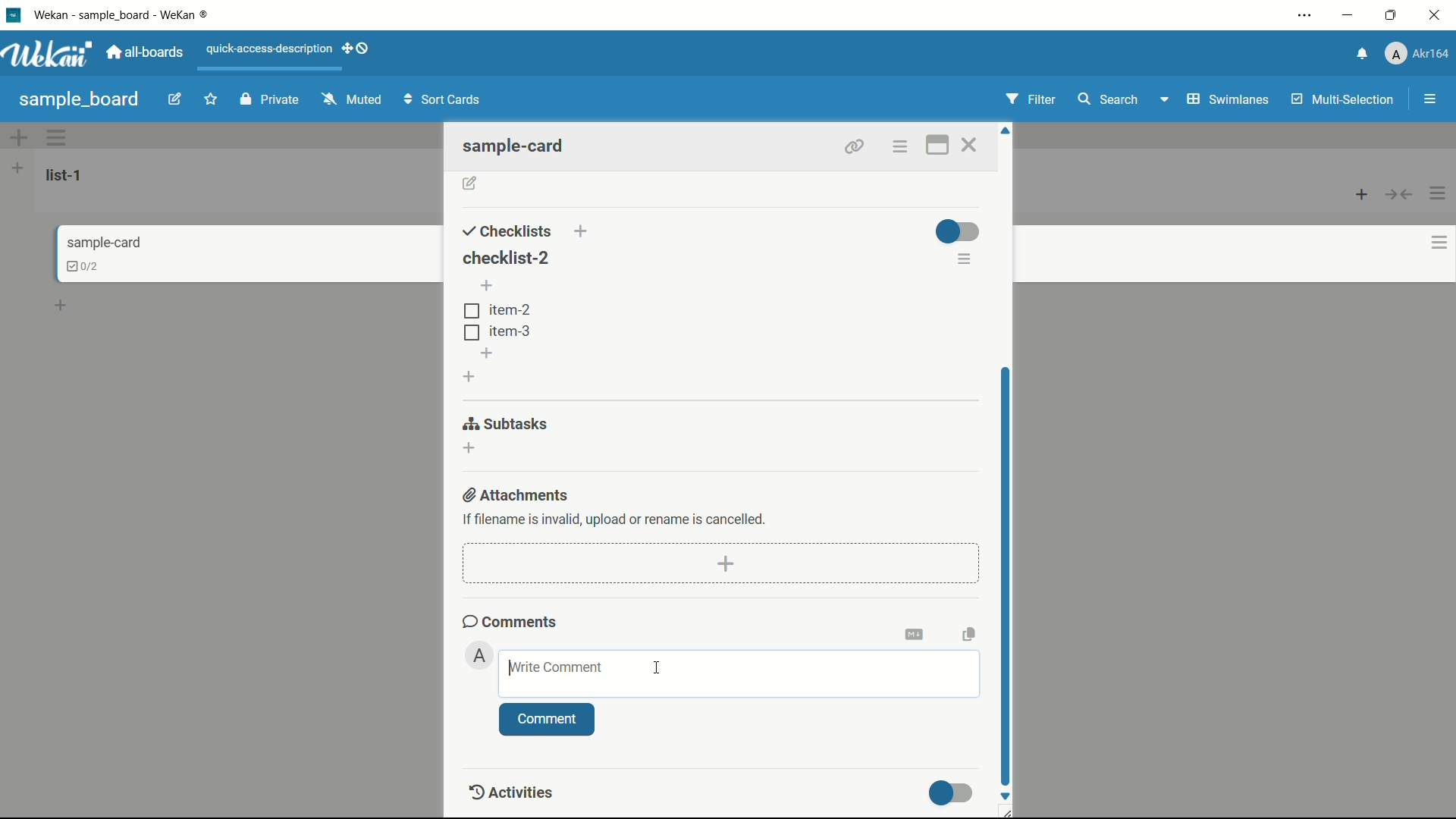  I want to click on add list, so click(17, 168).